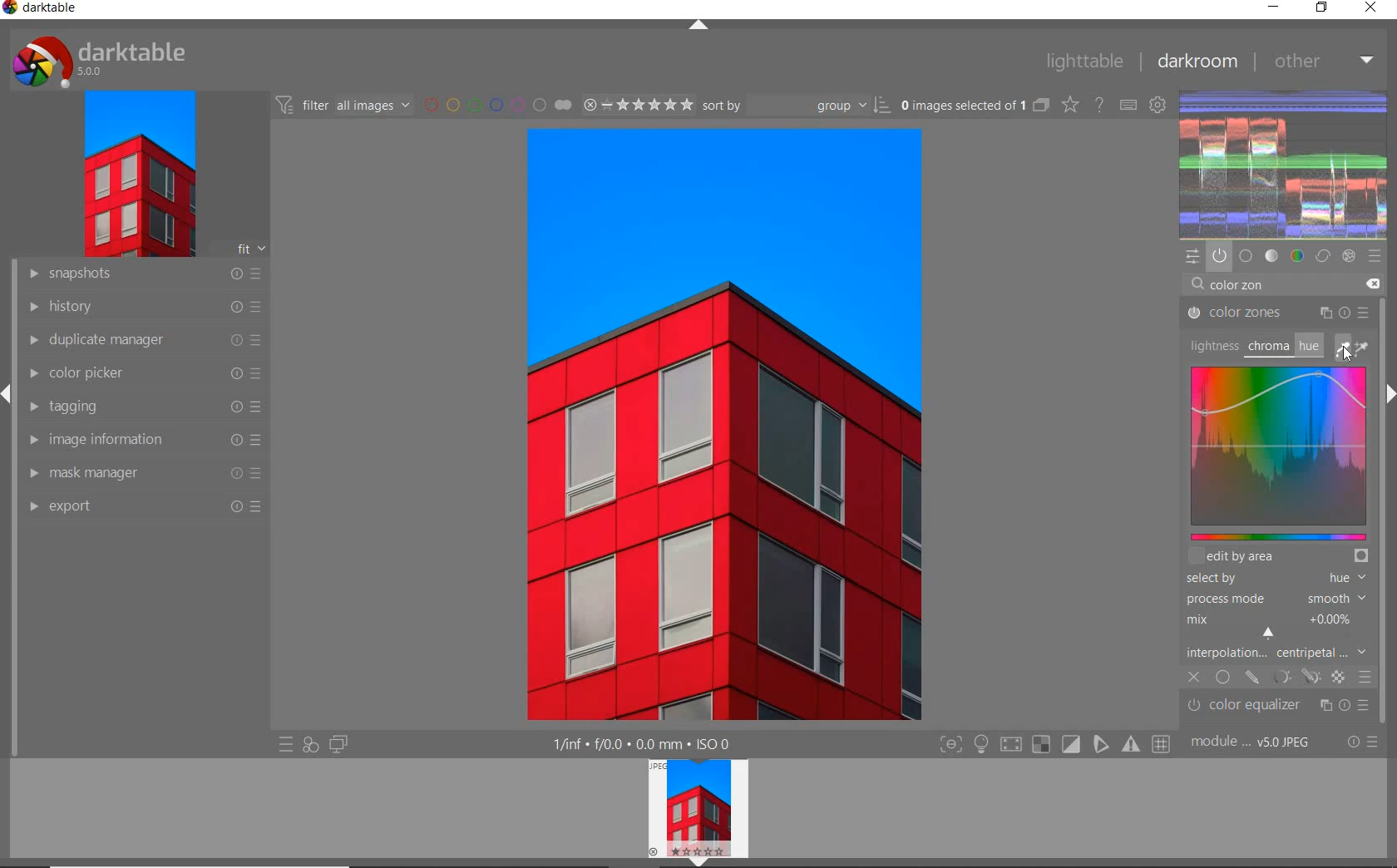  I want to click on module order, so click(1255, 743).